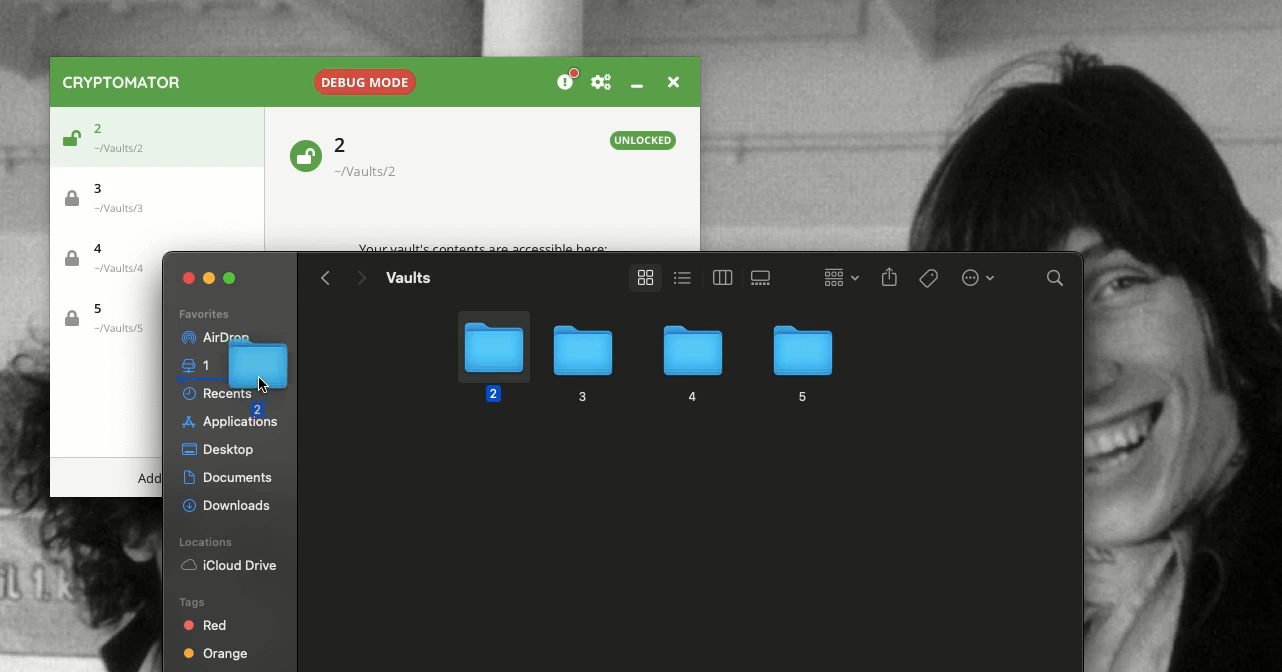 The image size is (1282, 672). Describe the element at coordinates (126, 134) in the screenshot. I see `Vault 2` at that location.